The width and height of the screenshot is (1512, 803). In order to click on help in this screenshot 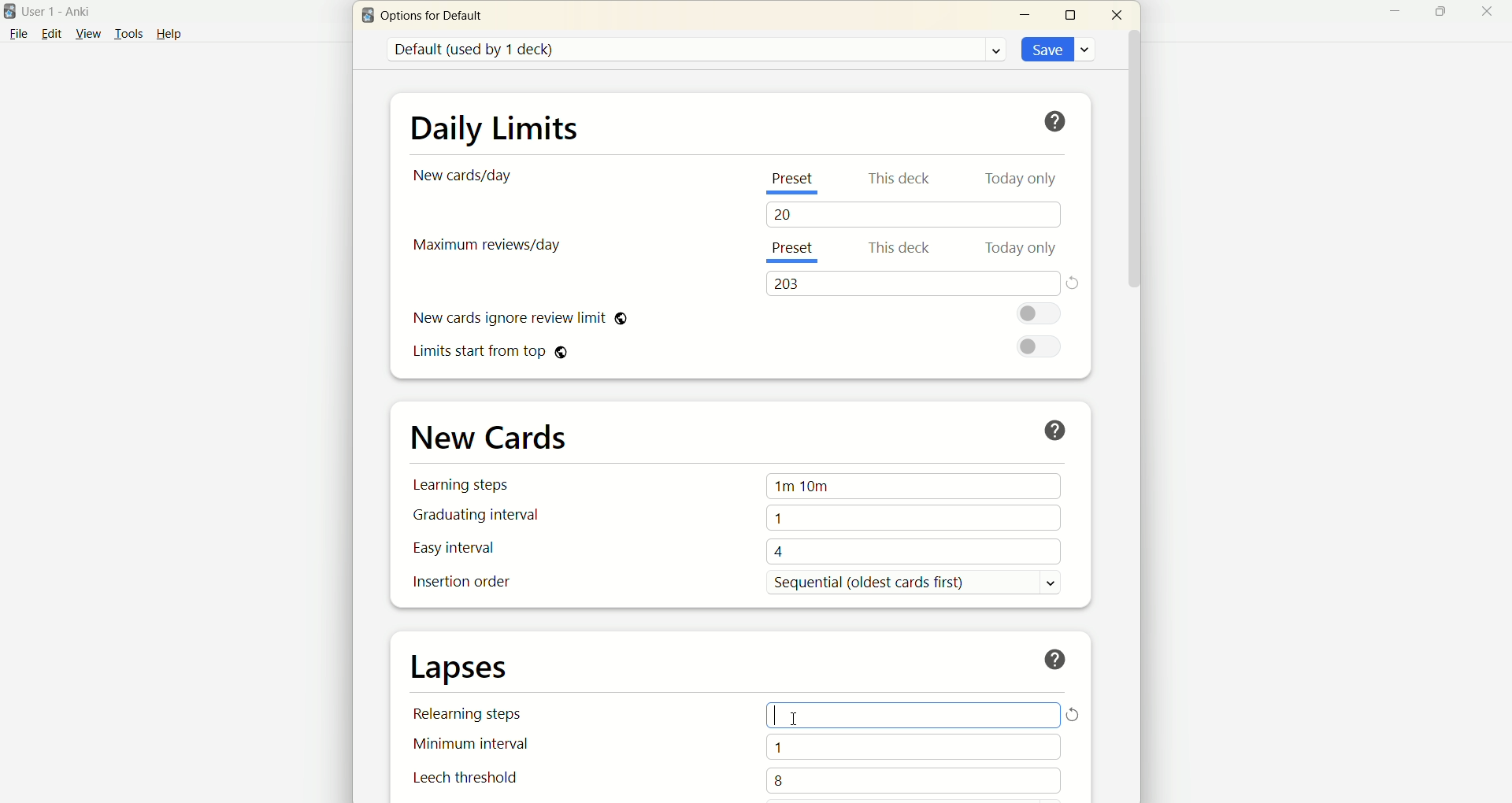, I will do `click(1055, 121)`.